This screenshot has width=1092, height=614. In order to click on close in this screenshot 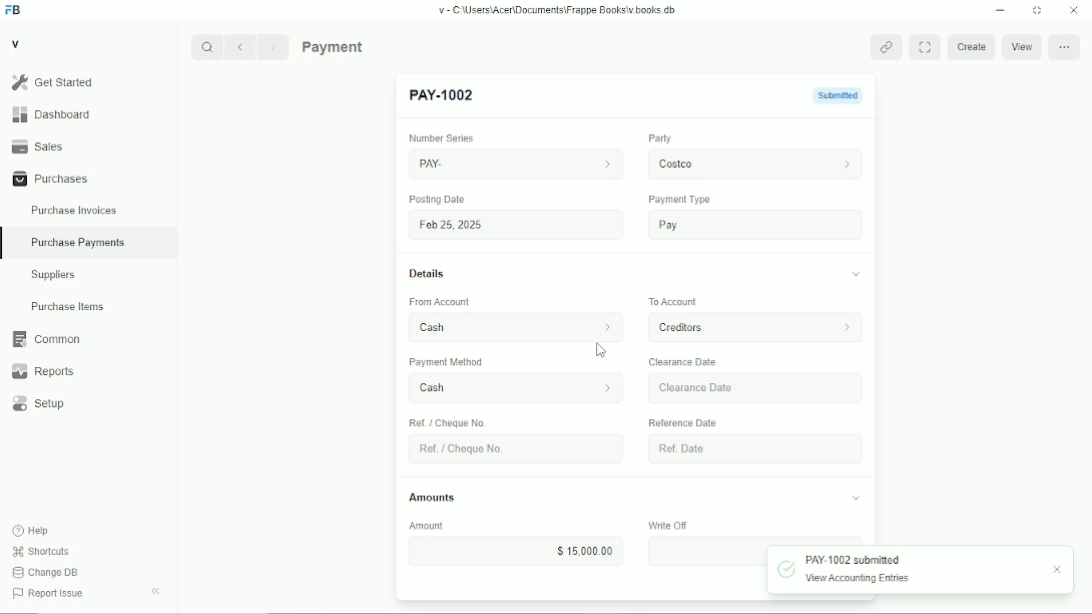, I will do `click(1059, 570)`.